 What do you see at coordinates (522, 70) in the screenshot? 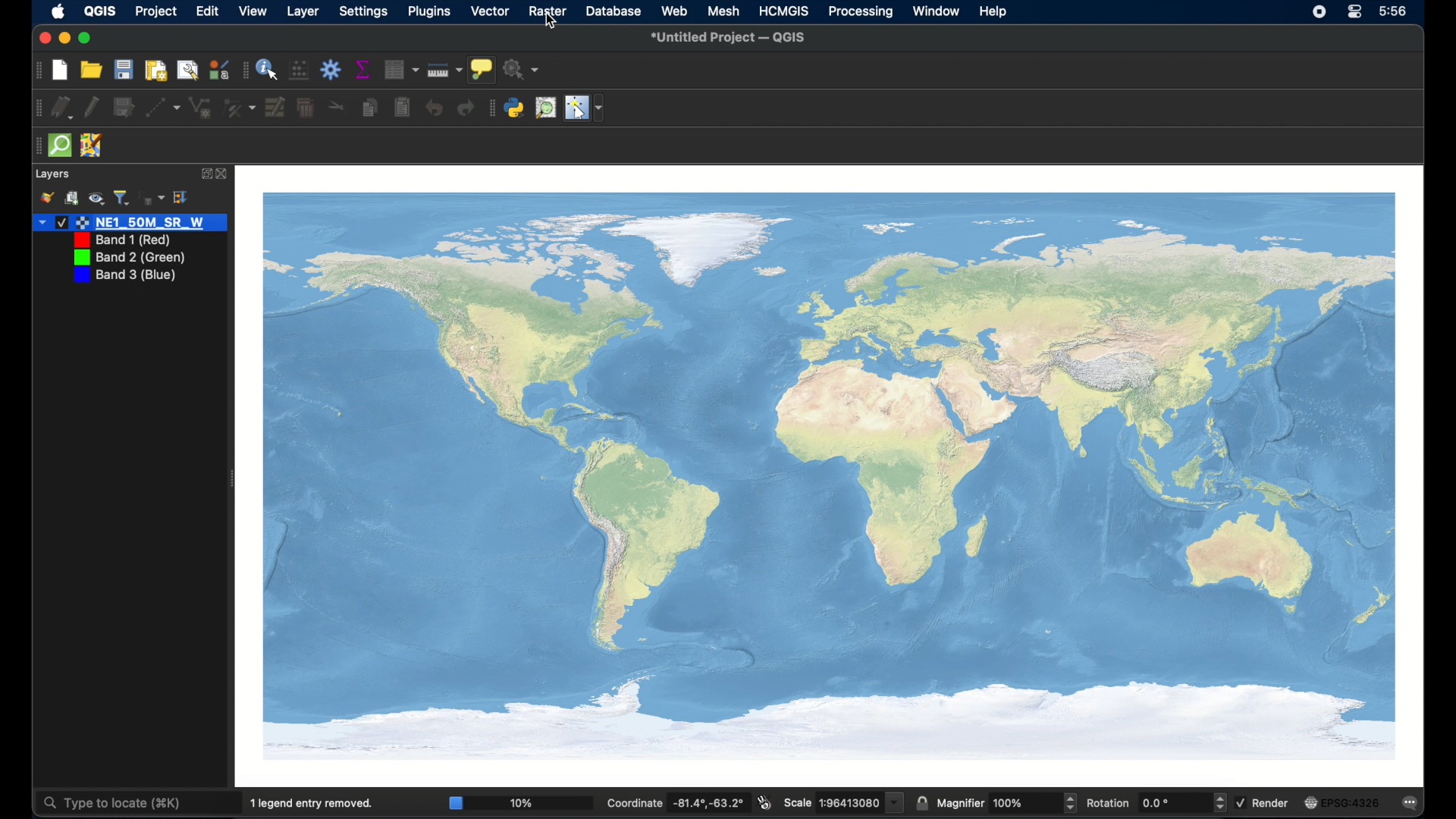
I see `no action selected ` at bounding box center [522, 70].